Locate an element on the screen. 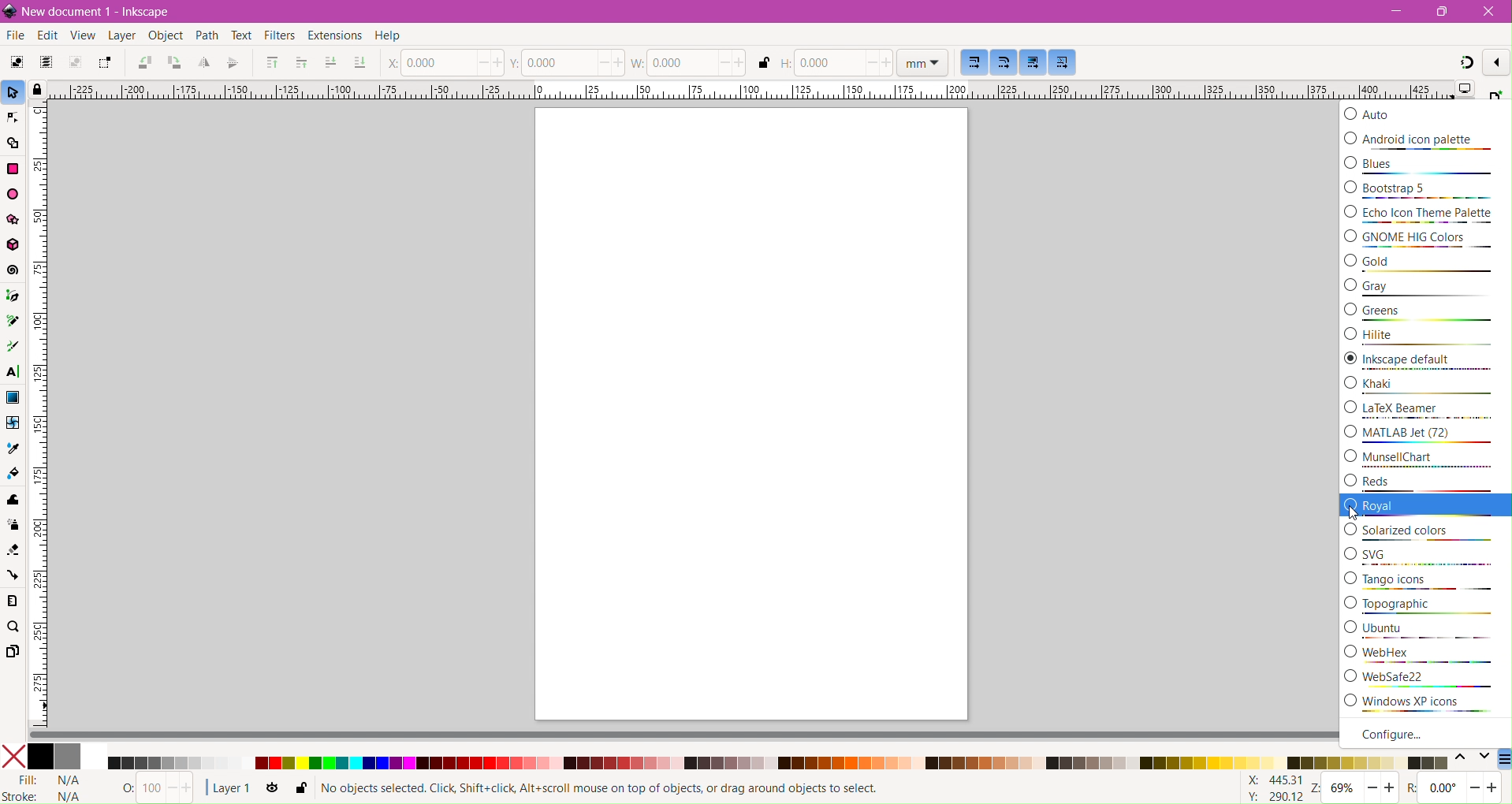 The height and width of the screenshot is (804, 1512). Object Rotate 90 is located at coordinates (173, 64).